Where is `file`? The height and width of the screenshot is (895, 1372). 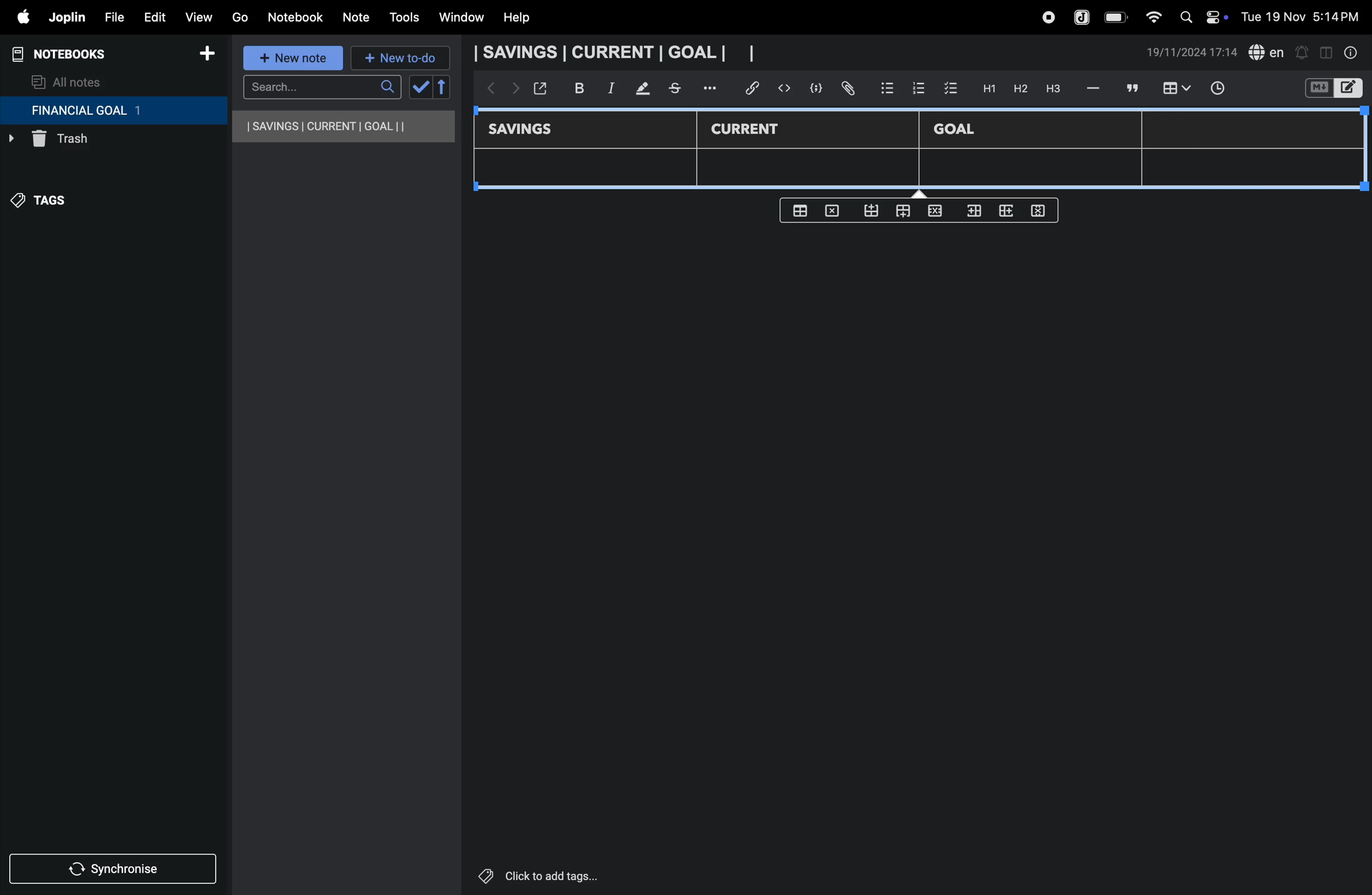 file is located at coordinates (110, 16).